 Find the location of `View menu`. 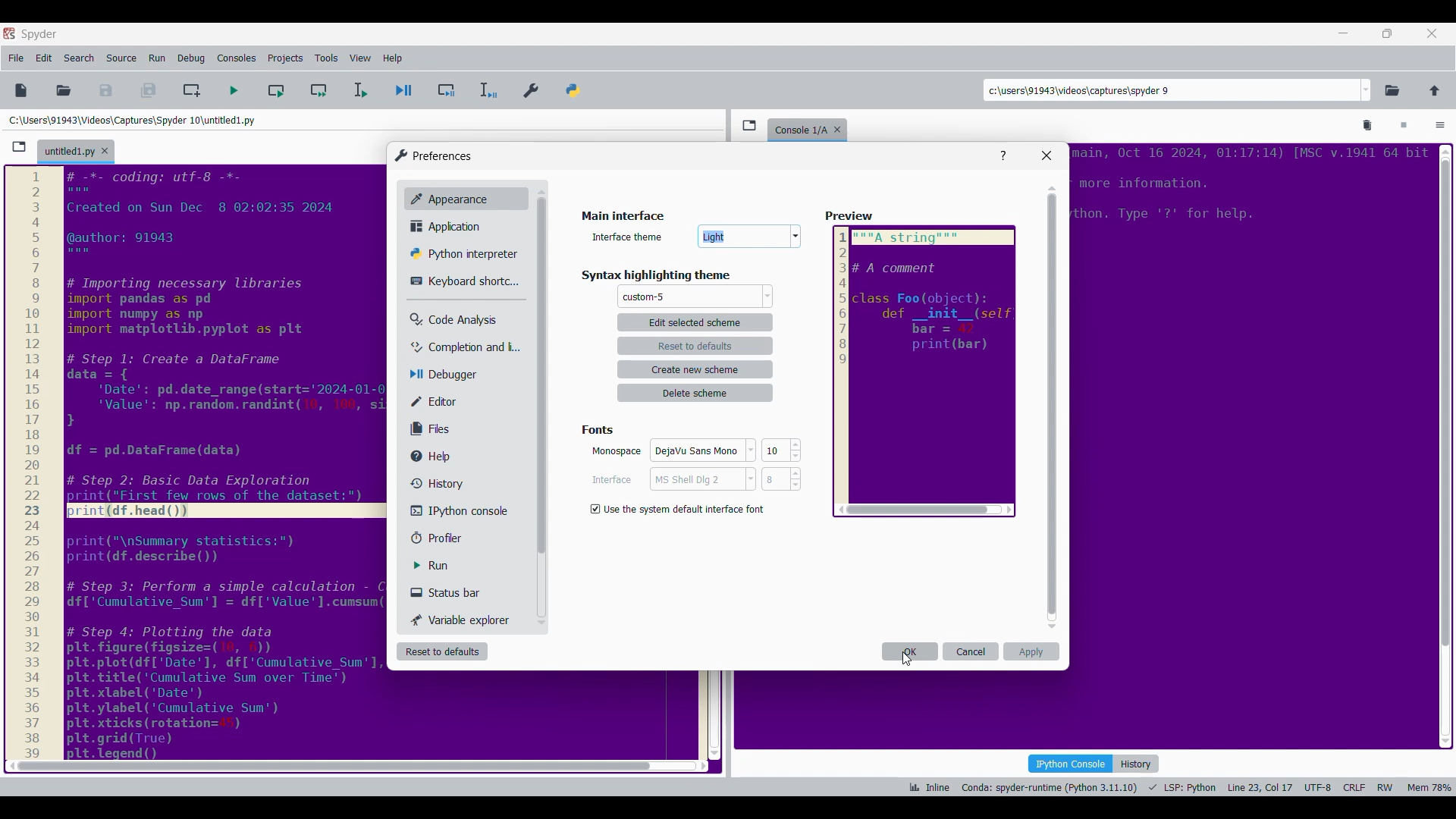

View menu is located at coordinates (360, 58).